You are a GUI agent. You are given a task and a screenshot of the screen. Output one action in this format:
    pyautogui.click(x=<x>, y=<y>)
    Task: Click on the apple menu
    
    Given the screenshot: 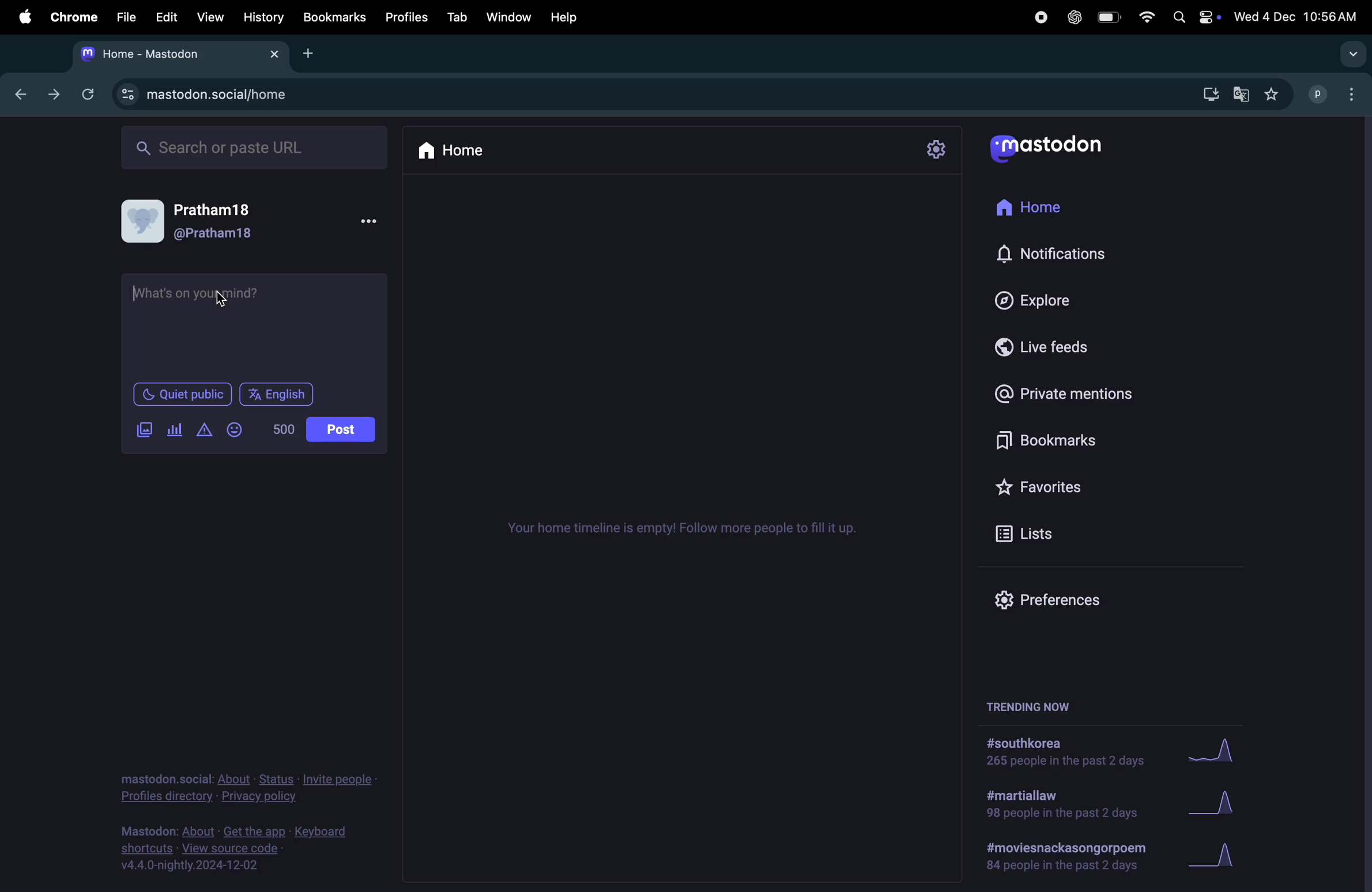 What is the action you would take?
    pyautogui.click(x=24, y=18)
    